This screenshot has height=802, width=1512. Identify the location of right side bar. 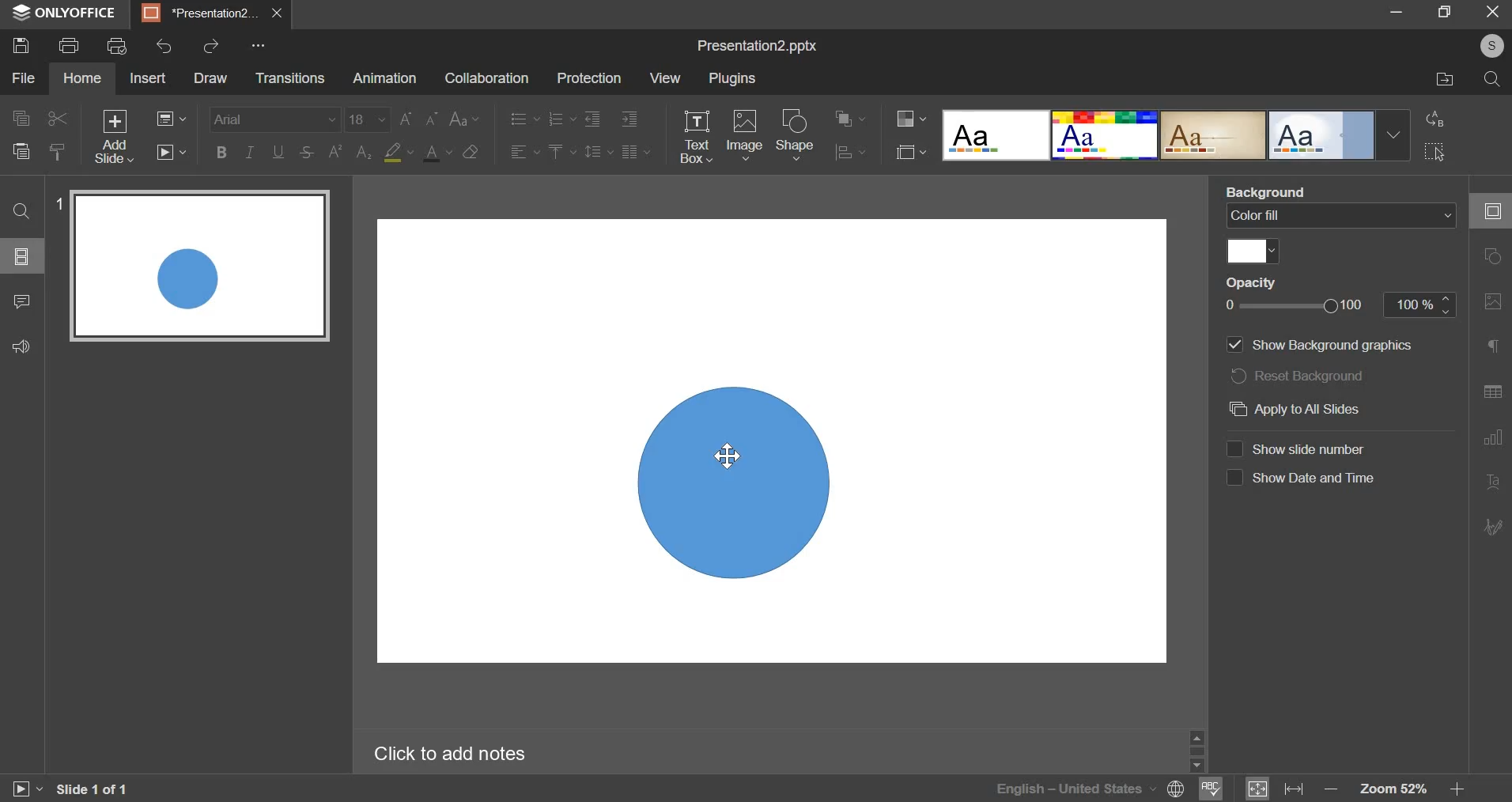
(1489, 369).